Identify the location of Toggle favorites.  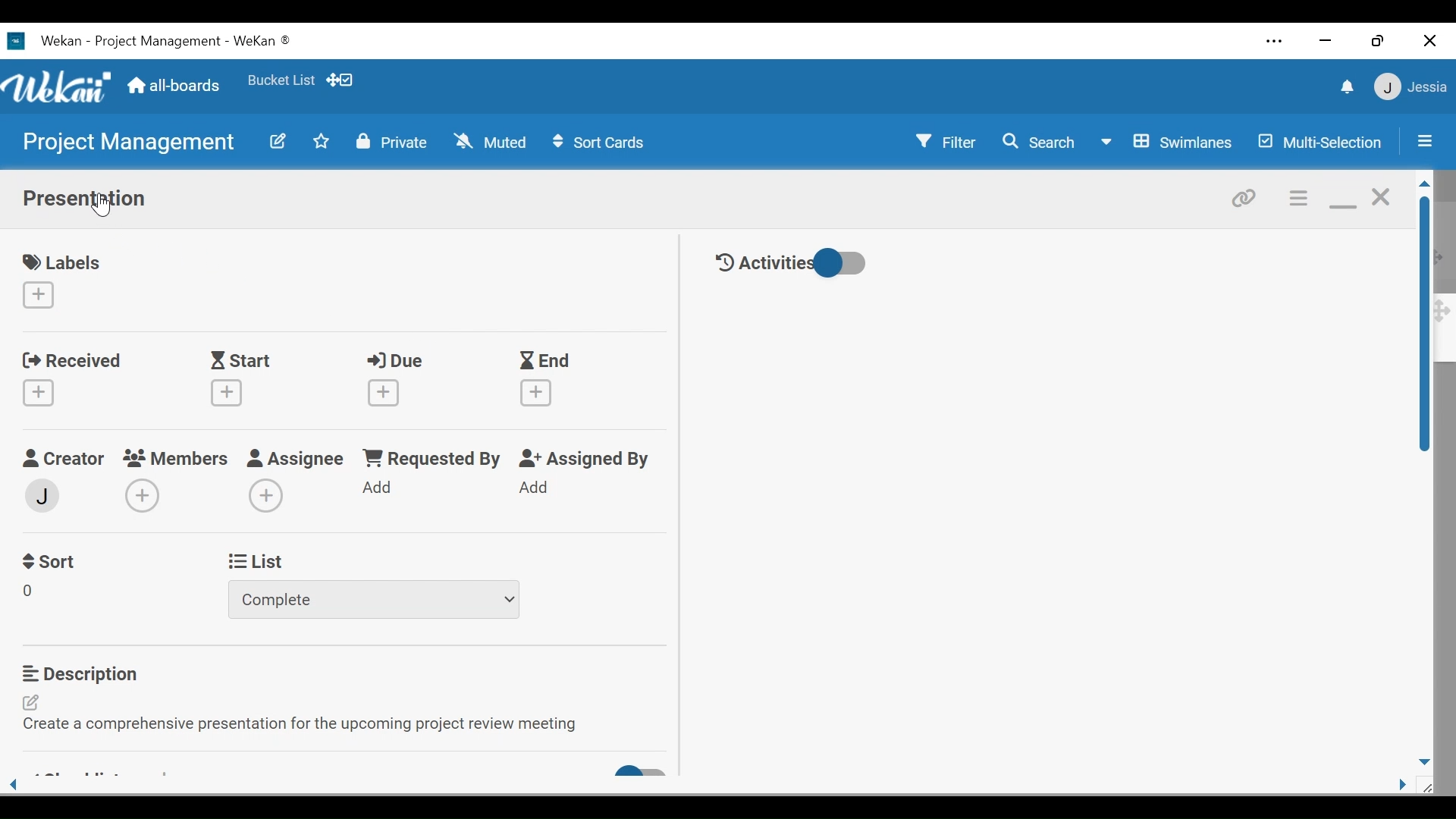
(280, 80).